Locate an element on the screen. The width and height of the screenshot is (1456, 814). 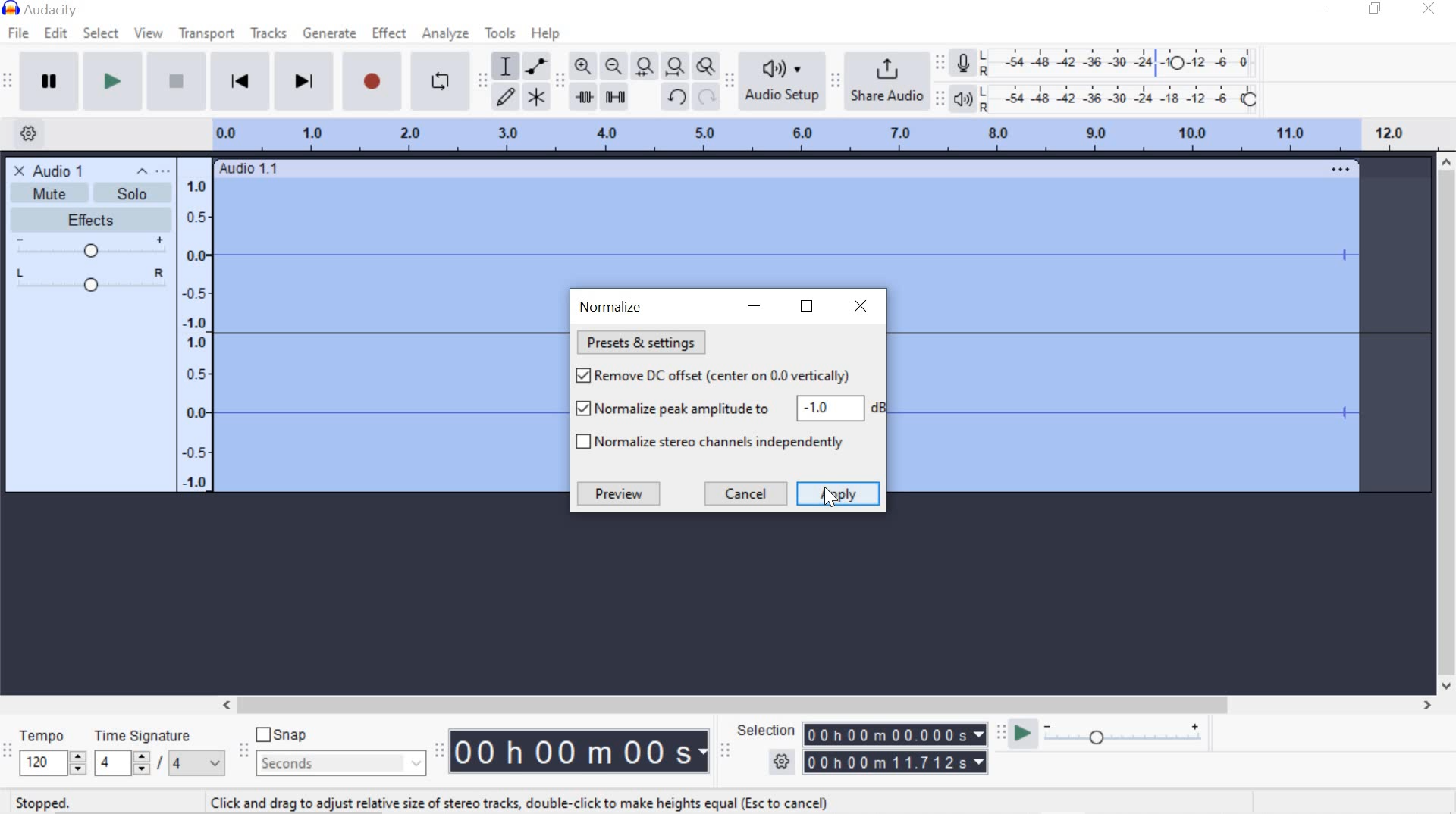
Playback meter toolbar is located at coordinates (943, 97).